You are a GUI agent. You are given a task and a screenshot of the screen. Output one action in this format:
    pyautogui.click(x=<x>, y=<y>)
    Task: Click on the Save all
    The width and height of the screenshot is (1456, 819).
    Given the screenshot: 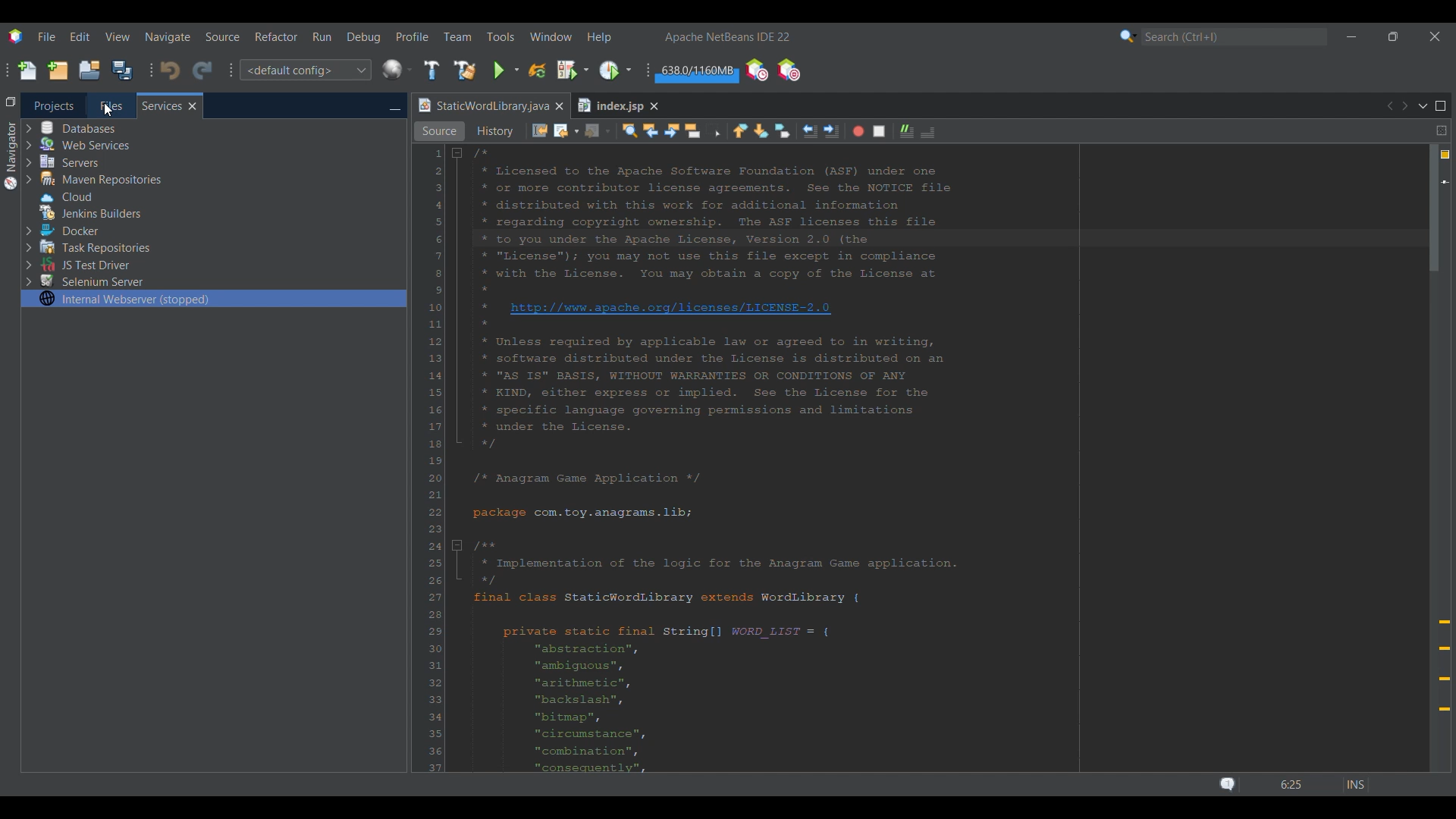 What is the action you would take?
    pyautogui.click(x=122, y=70)
    